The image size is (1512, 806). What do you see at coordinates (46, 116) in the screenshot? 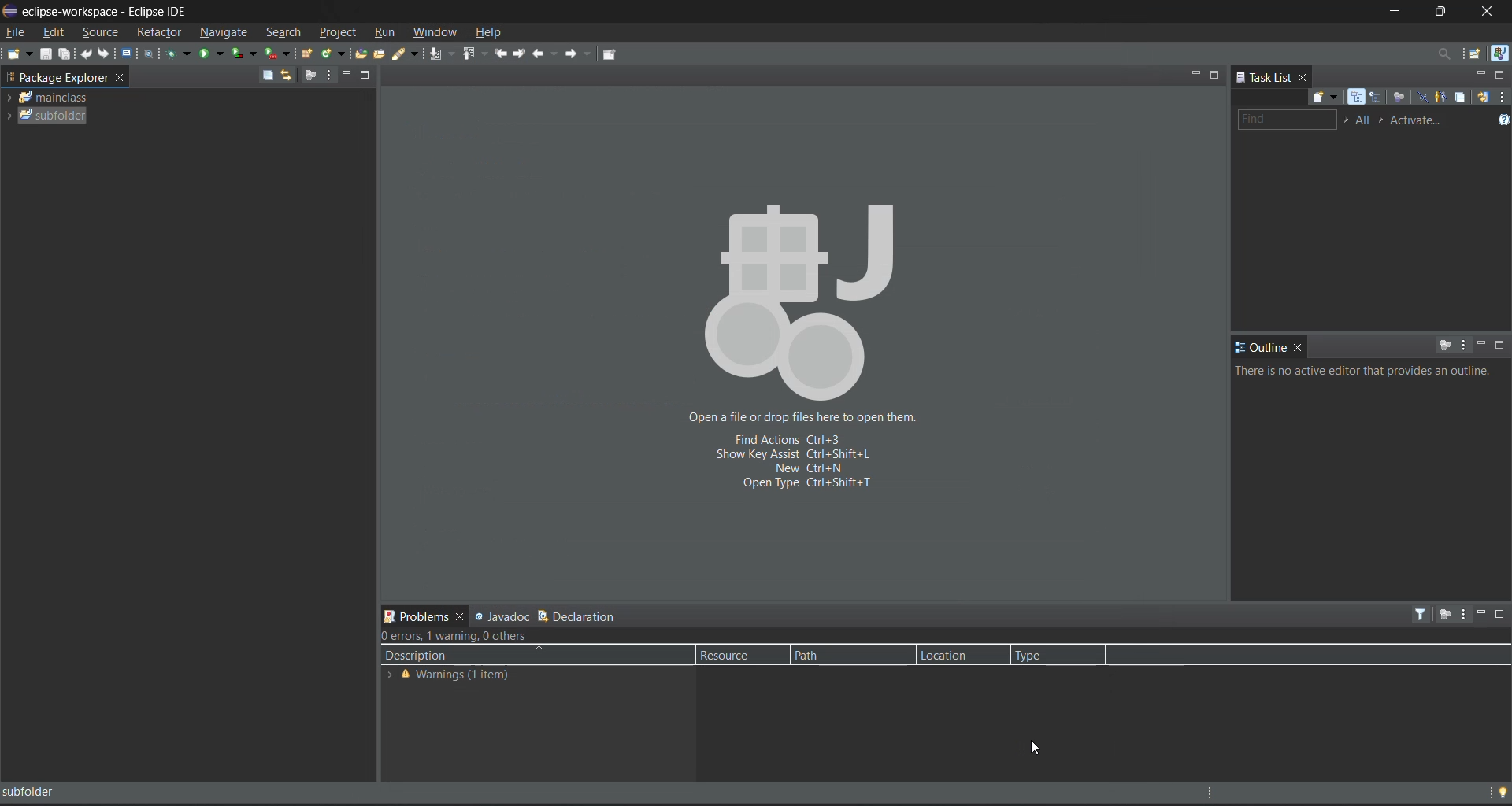
I see `subfolder` at bounding box center [46, 116].